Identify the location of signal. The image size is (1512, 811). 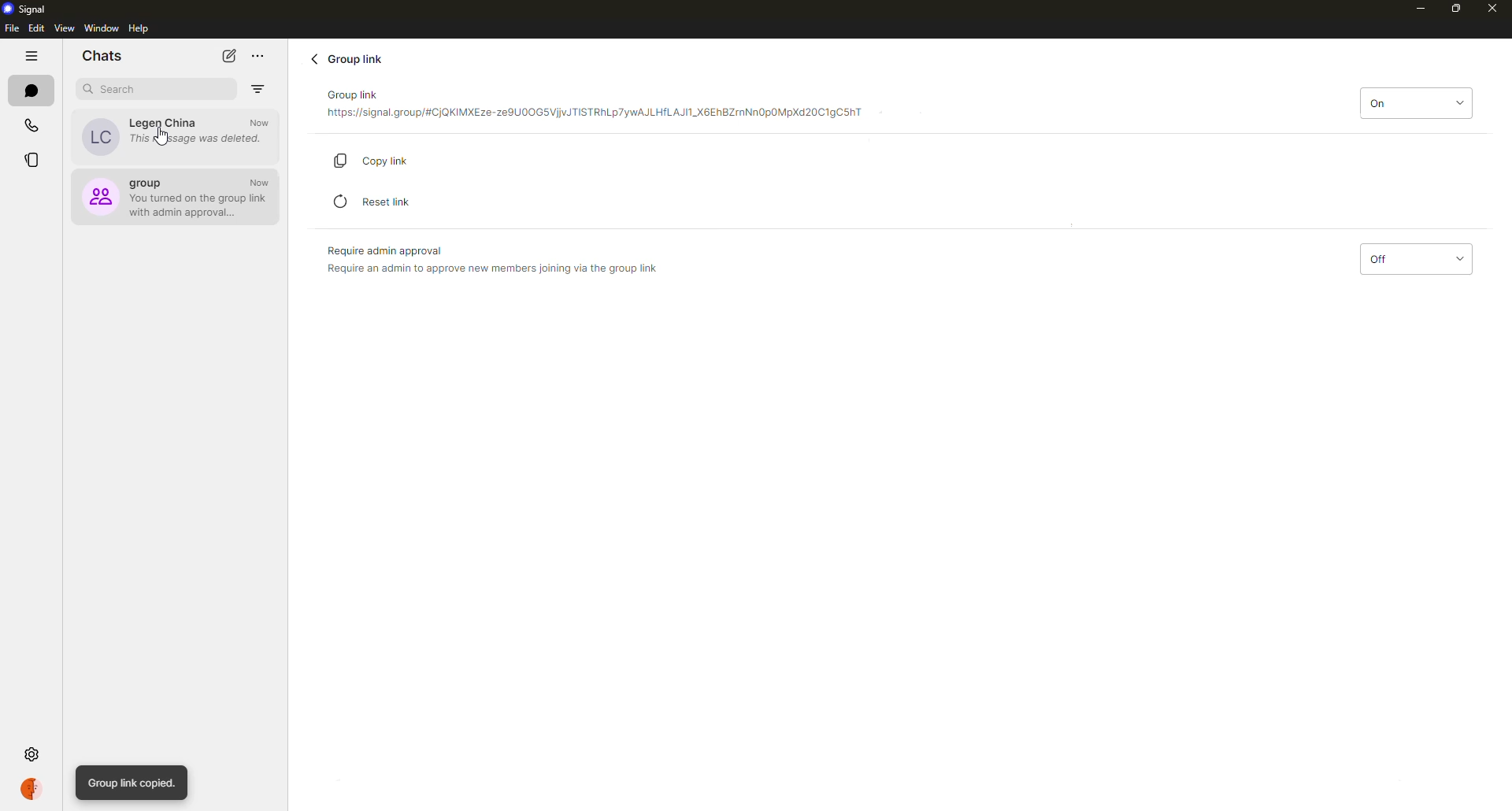
(29, 9).